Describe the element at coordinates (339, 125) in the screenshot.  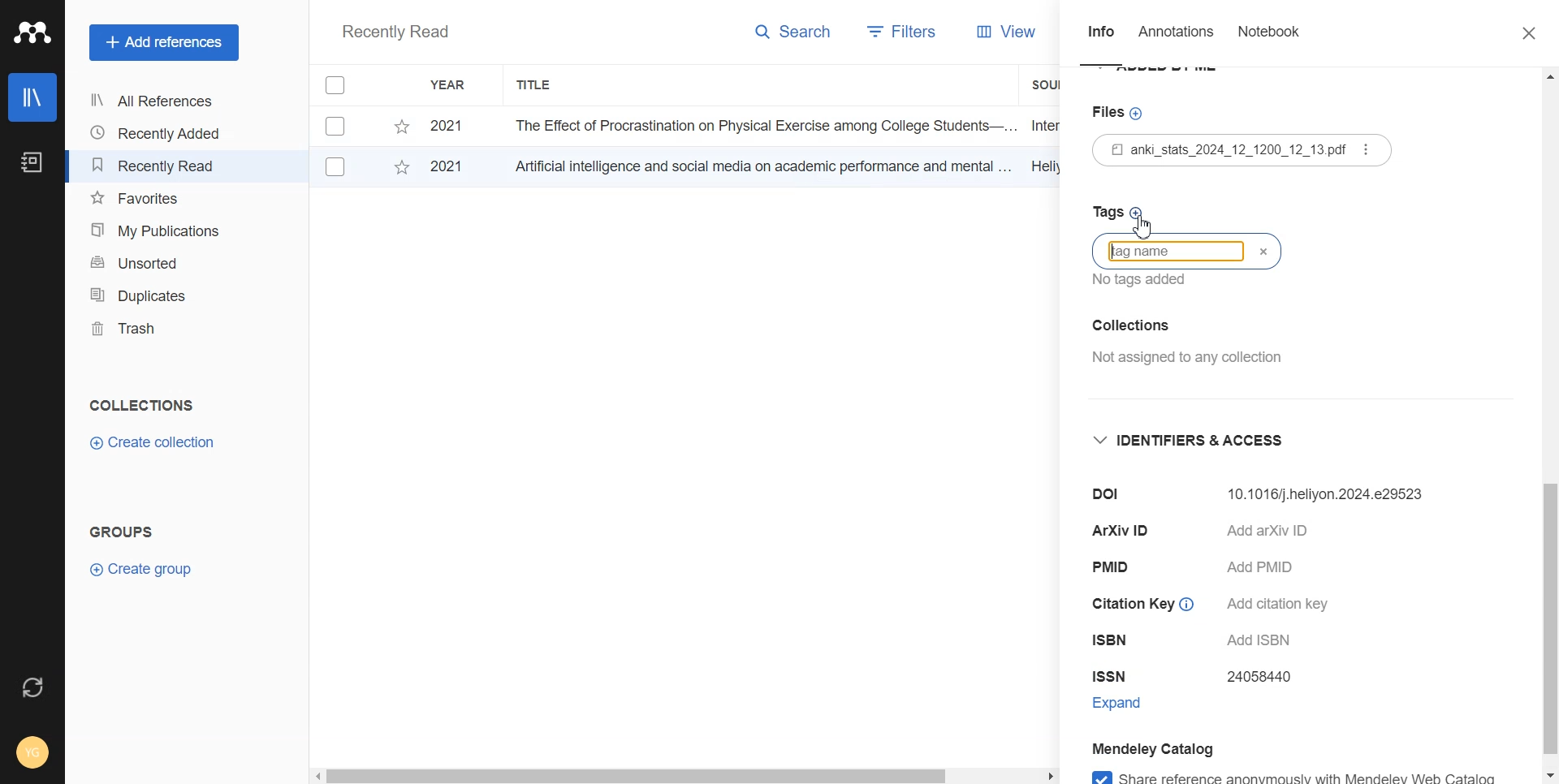
I see `Checkbox` at that location.